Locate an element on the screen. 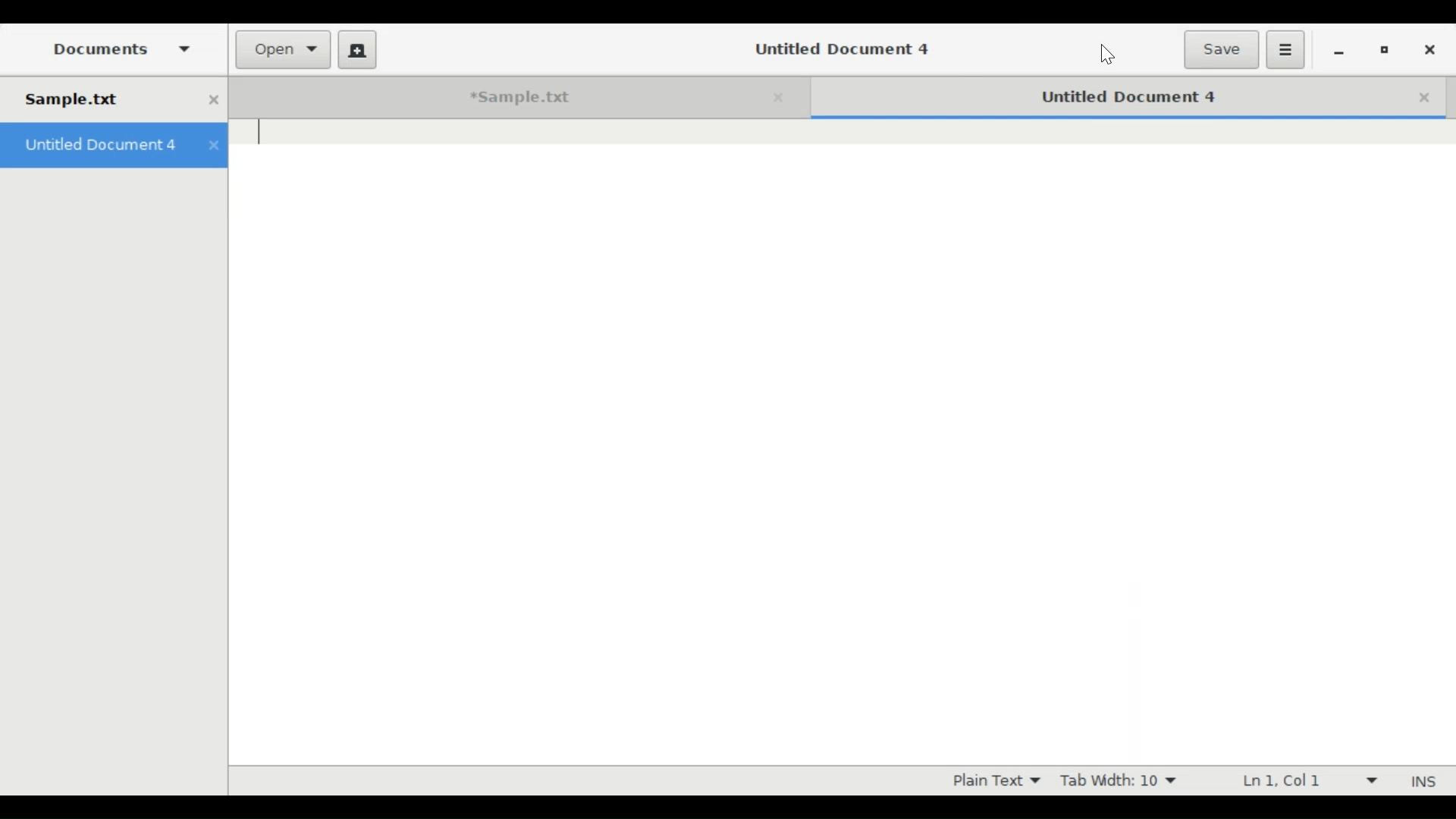 The height and width of the screenshot is (819, 1456). Documents is located at coordinates (125, 48).